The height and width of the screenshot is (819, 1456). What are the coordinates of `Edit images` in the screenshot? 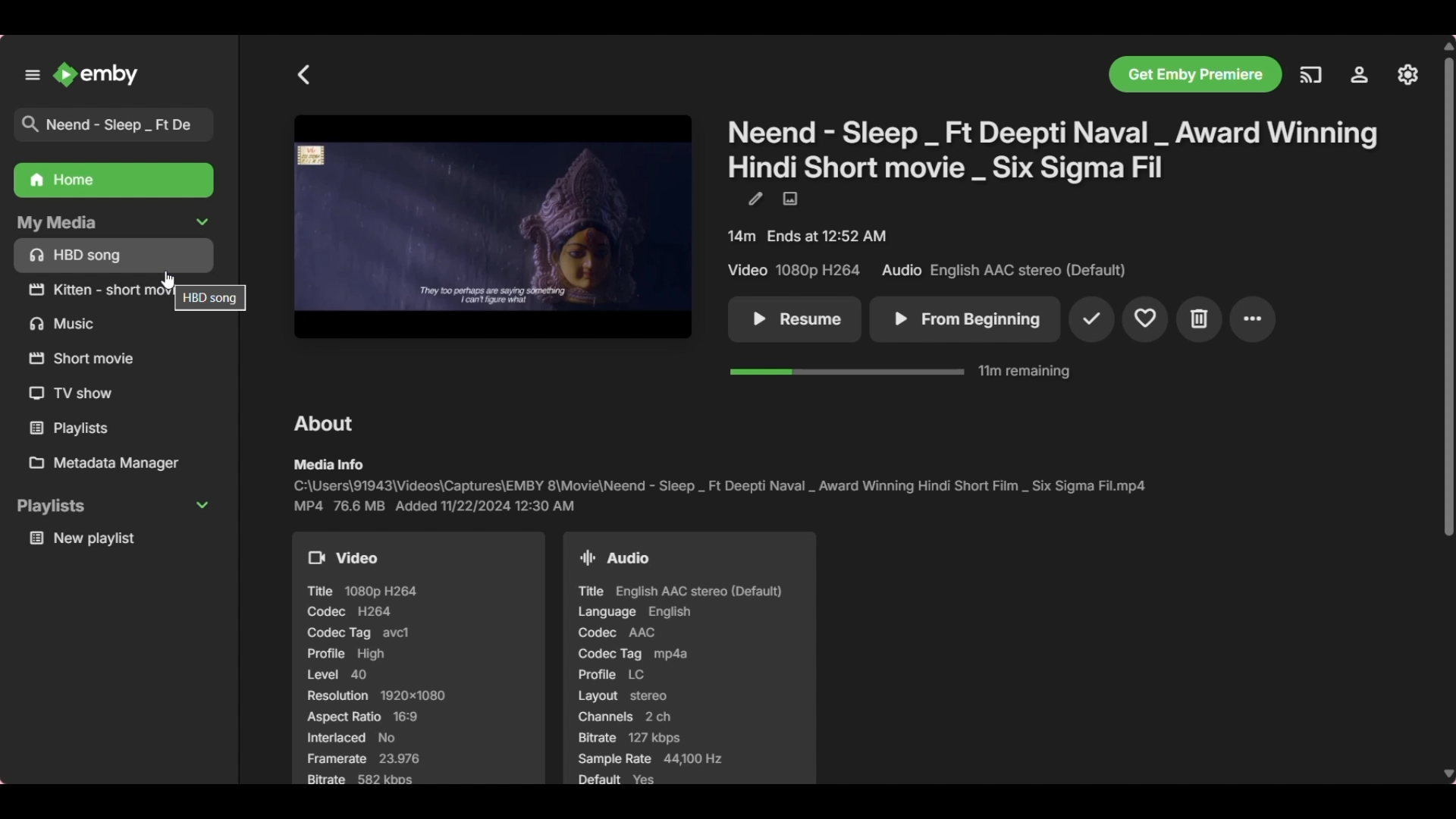 It's located at (789, 199).